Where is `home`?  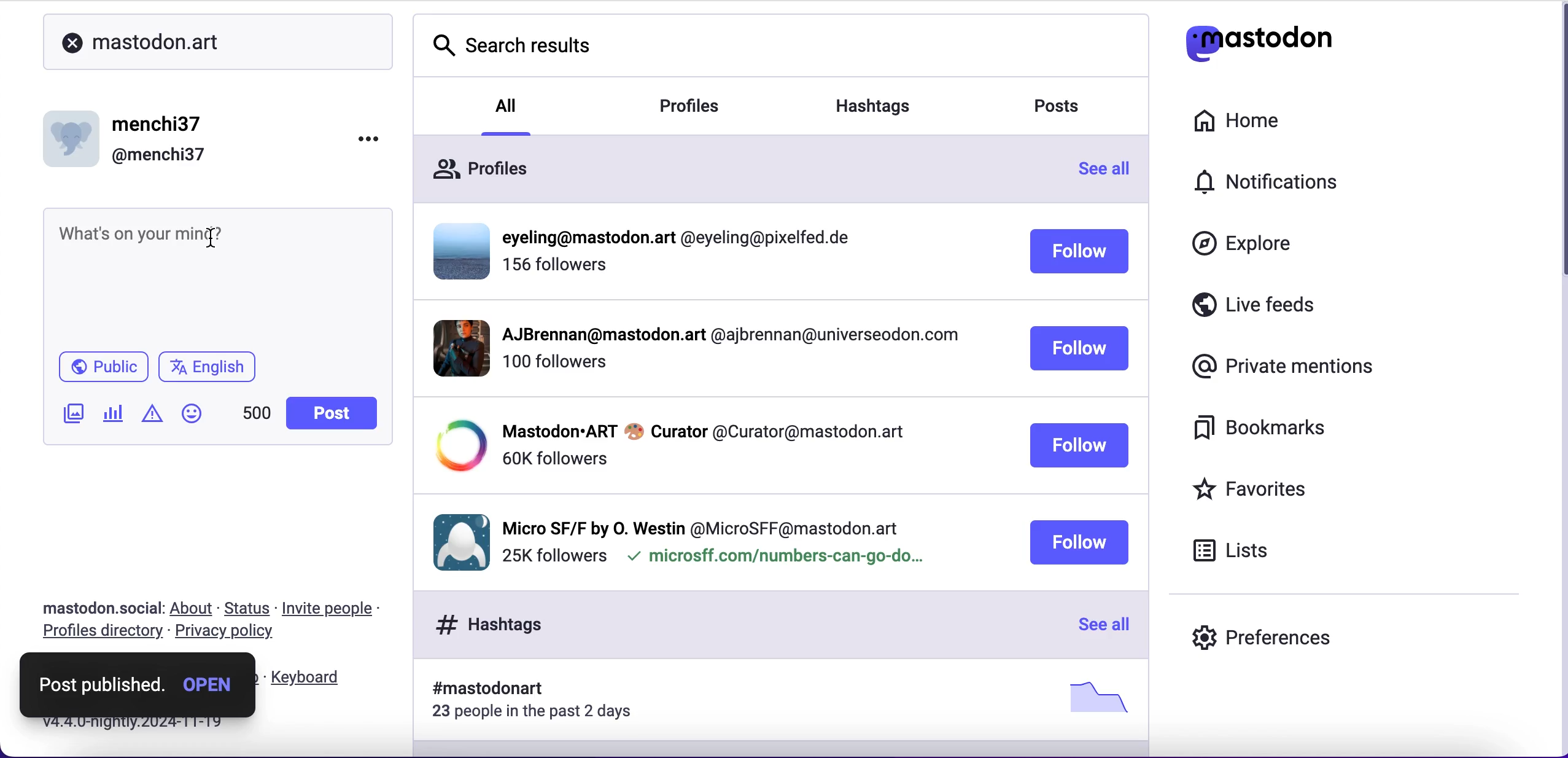 home is located at coordinates (1252, 122).